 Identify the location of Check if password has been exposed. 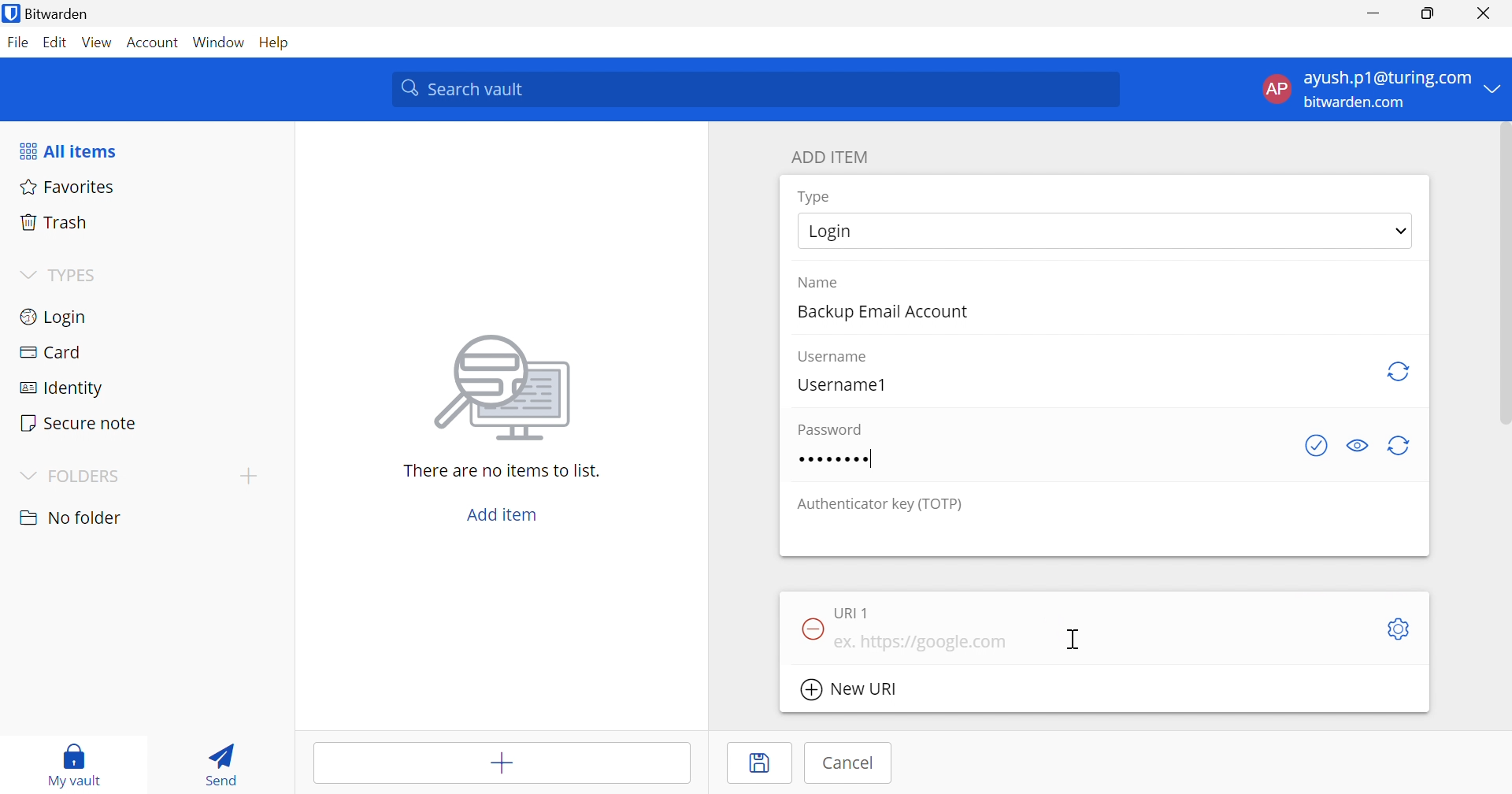
(1318, 446).